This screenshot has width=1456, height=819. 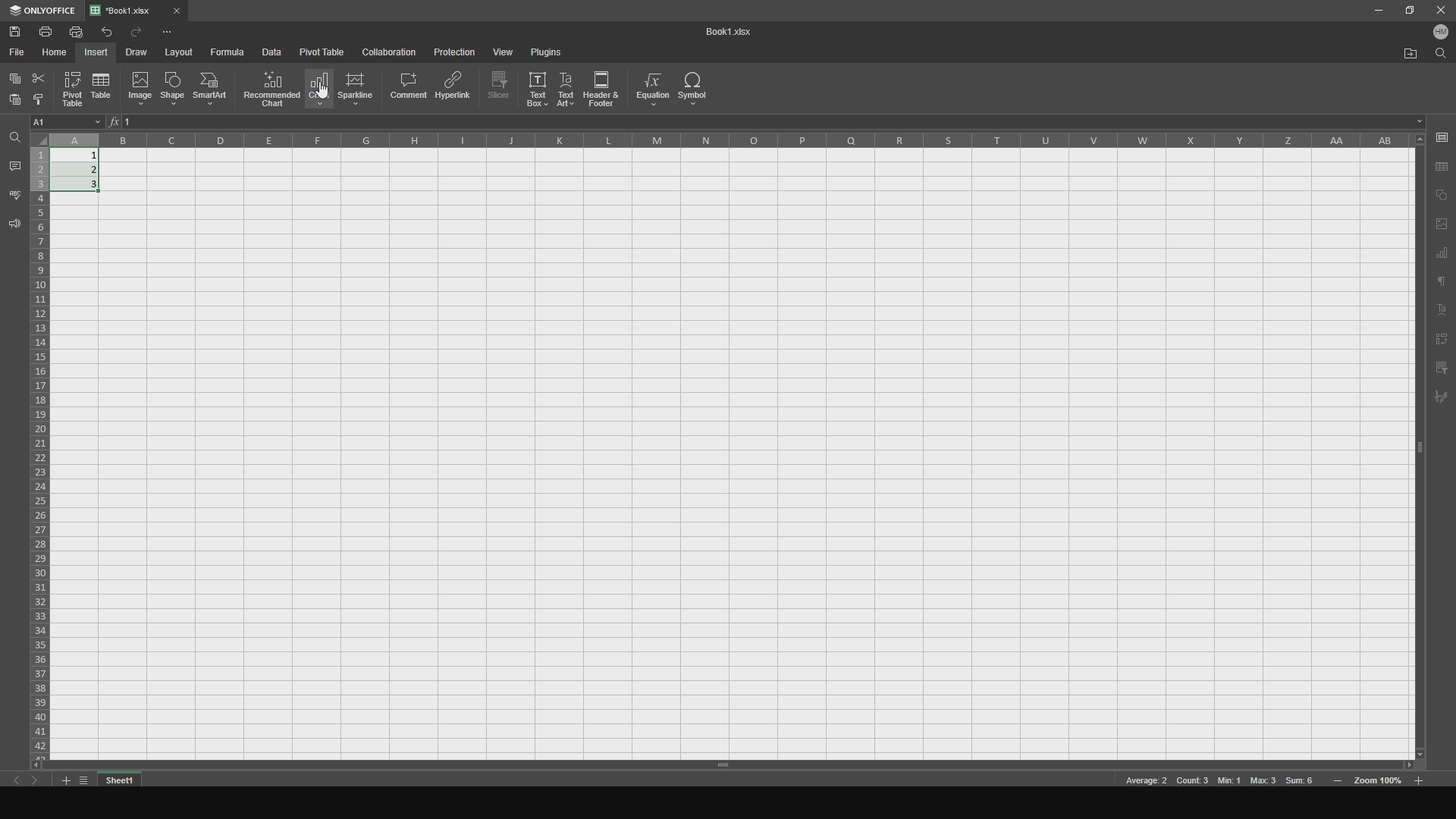 What do you see at coordinates (1420, 779) in the screenshot?
I see `zoom out` at bounding box center [1420, 779].